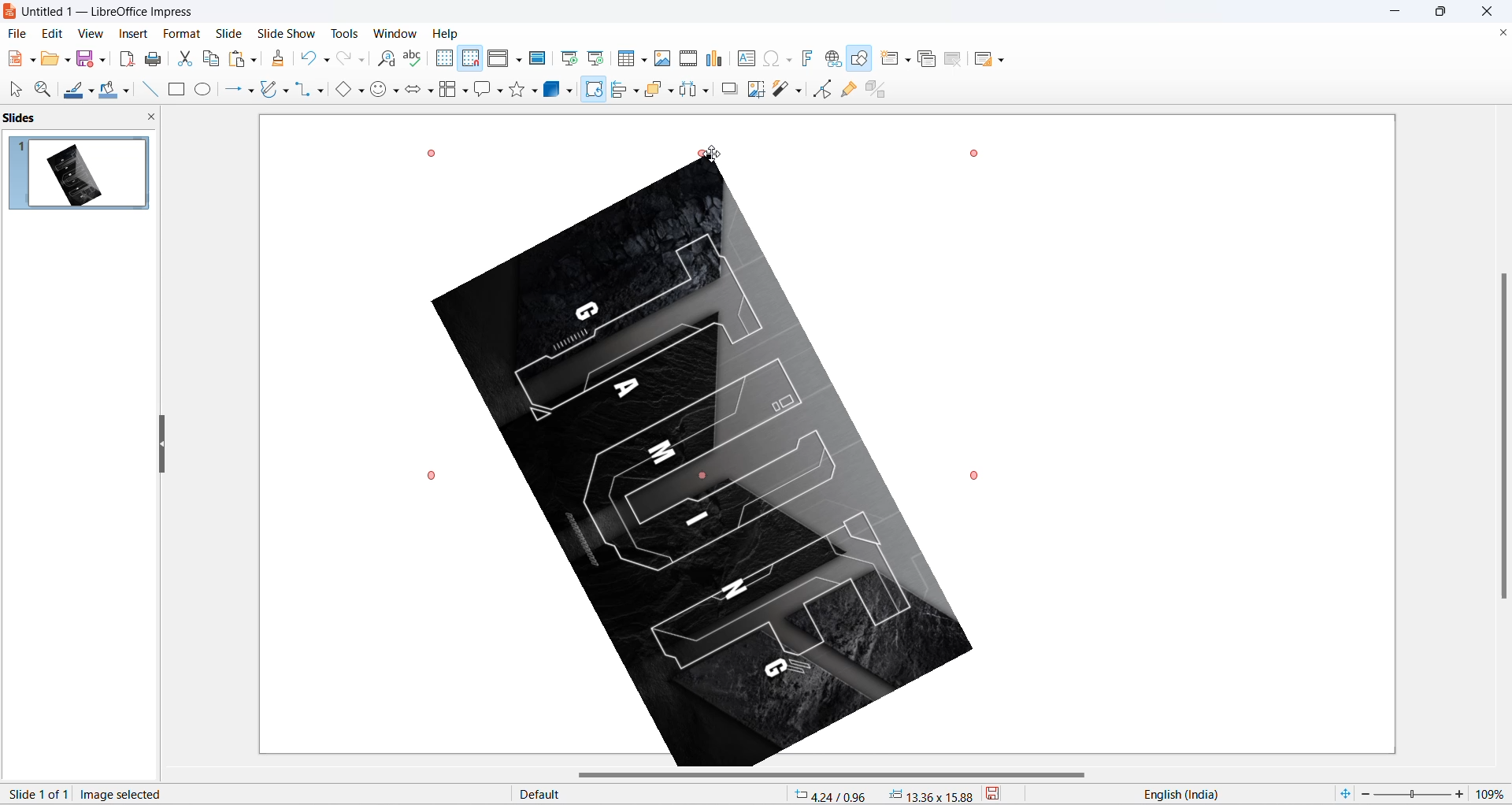  I want to click on edit, so click(54, 33).